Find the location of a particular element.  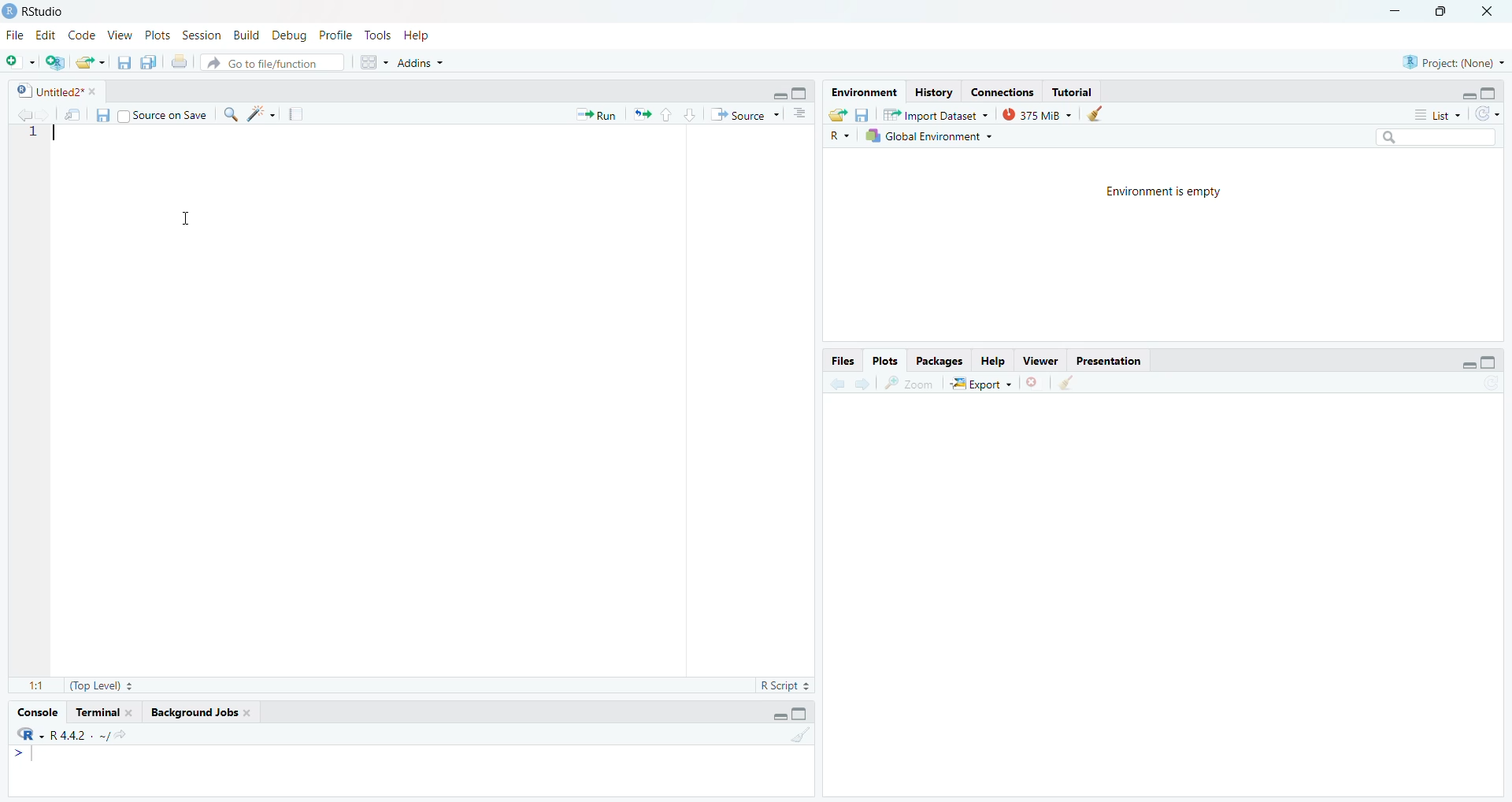

Debug is located at coordinates (287, 35).